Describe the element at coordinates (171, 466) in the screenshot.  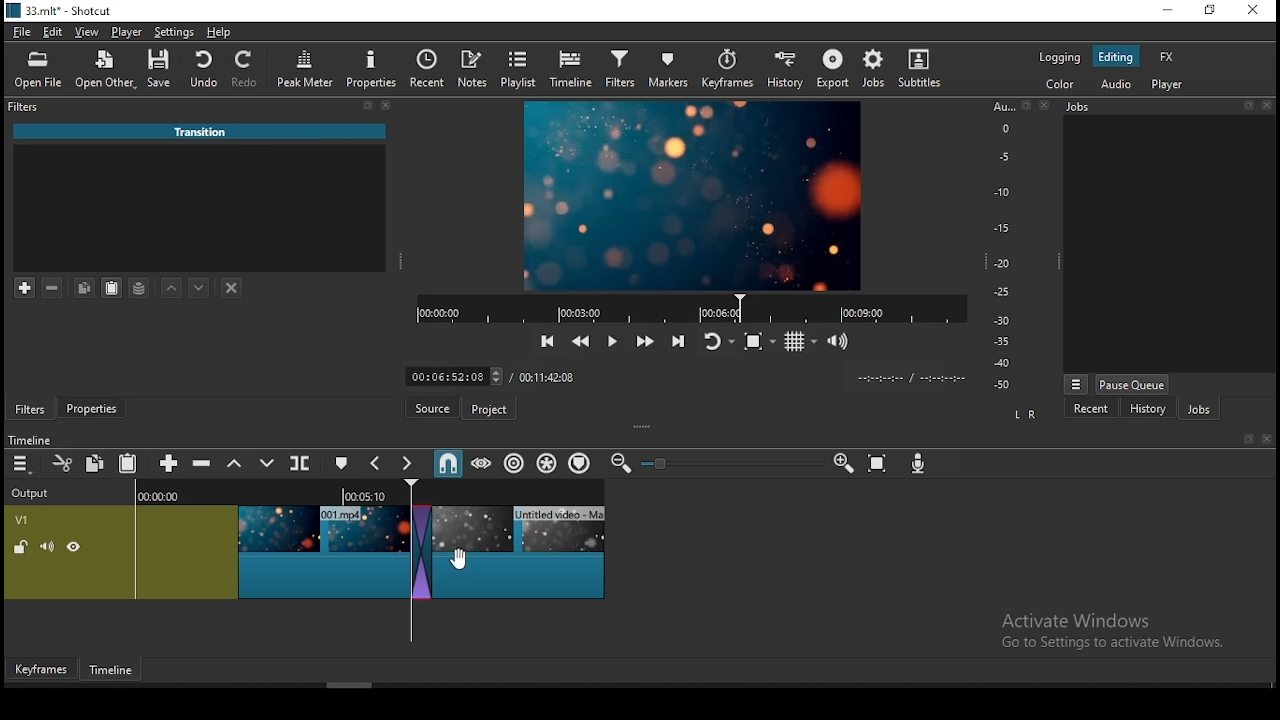
I see `append` at that location.